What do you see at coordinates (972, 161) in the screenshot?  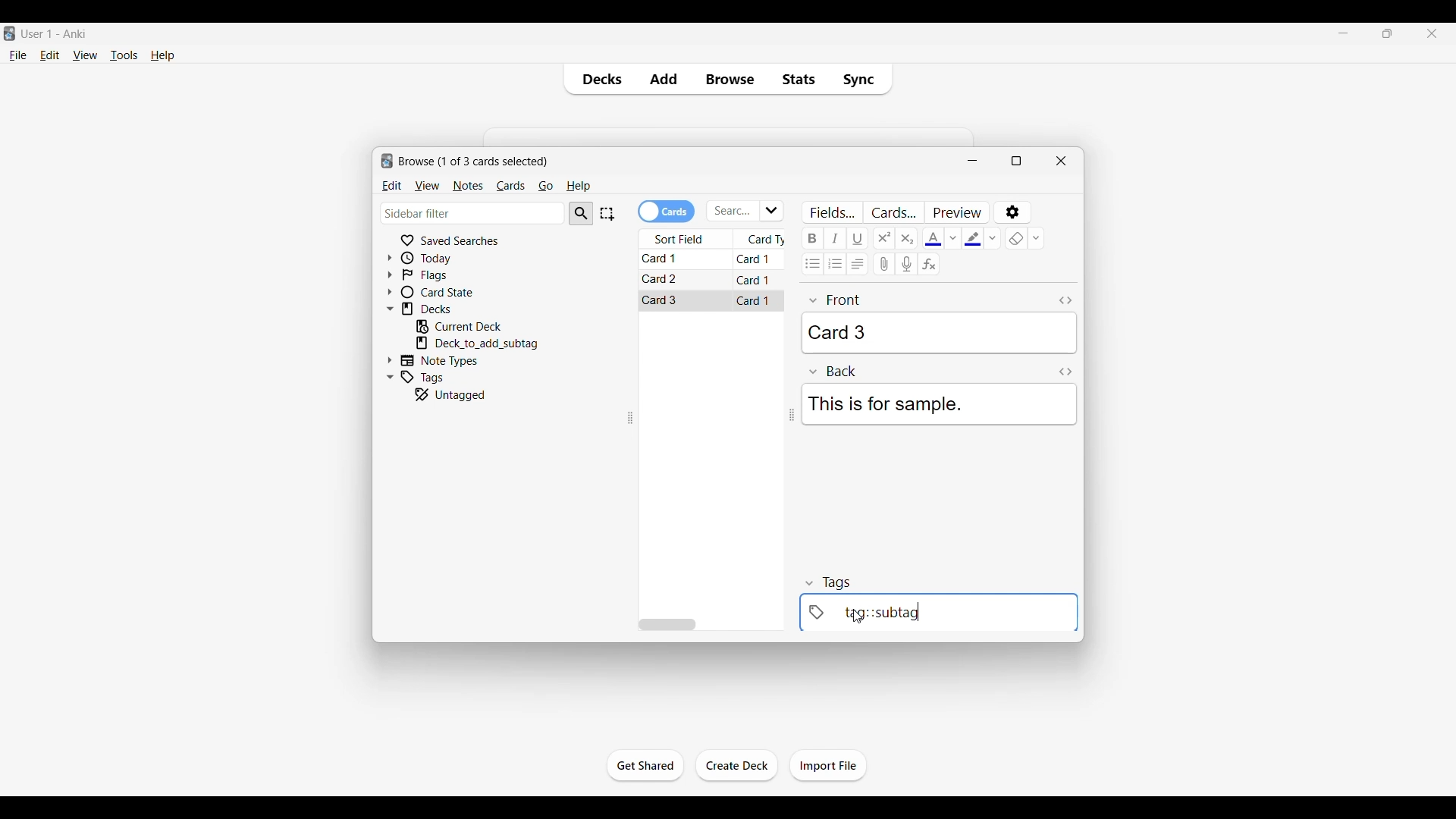 I see `Minimize` at bounding box center [972, 161].